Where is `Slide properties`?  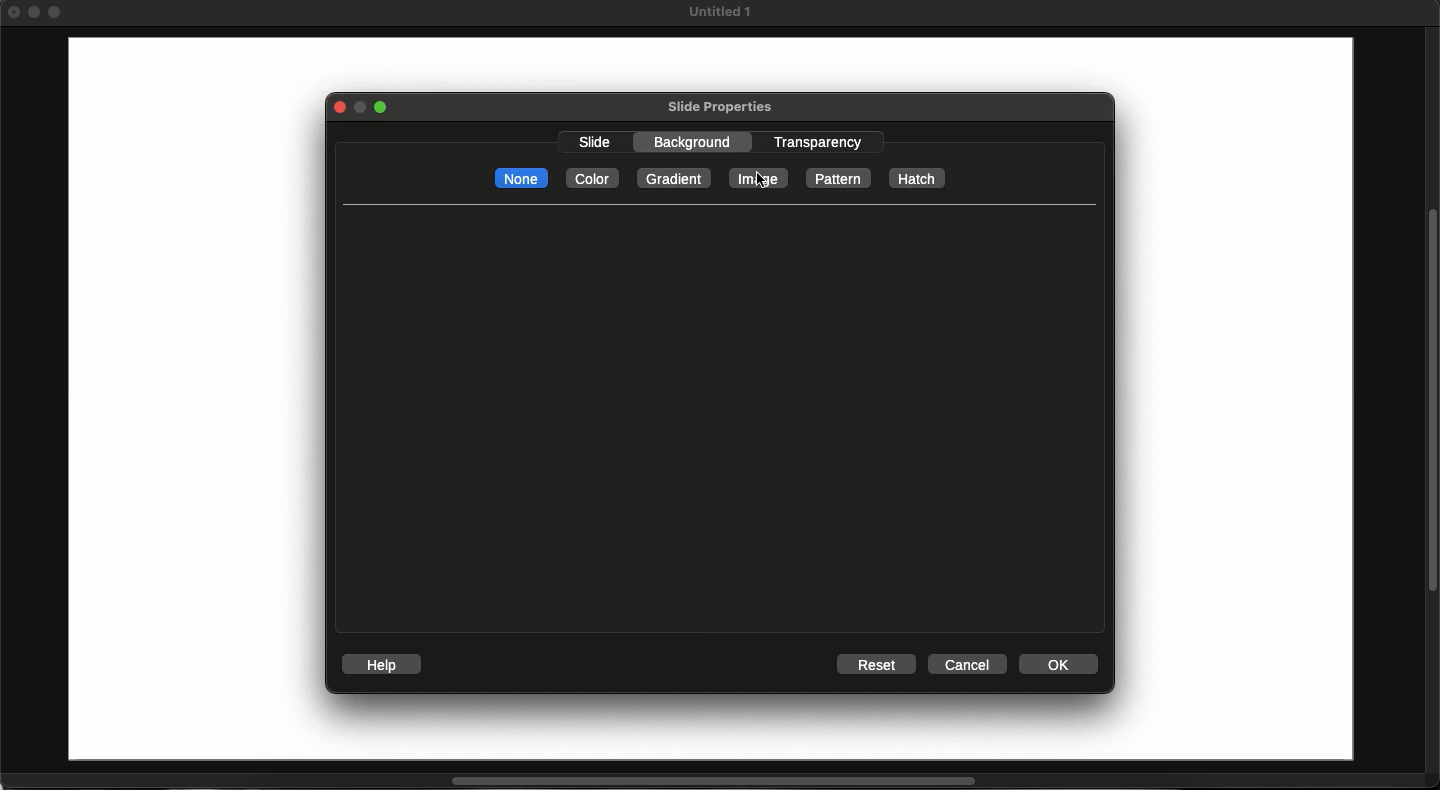 Slide properties is located at coordinates (719, 108).